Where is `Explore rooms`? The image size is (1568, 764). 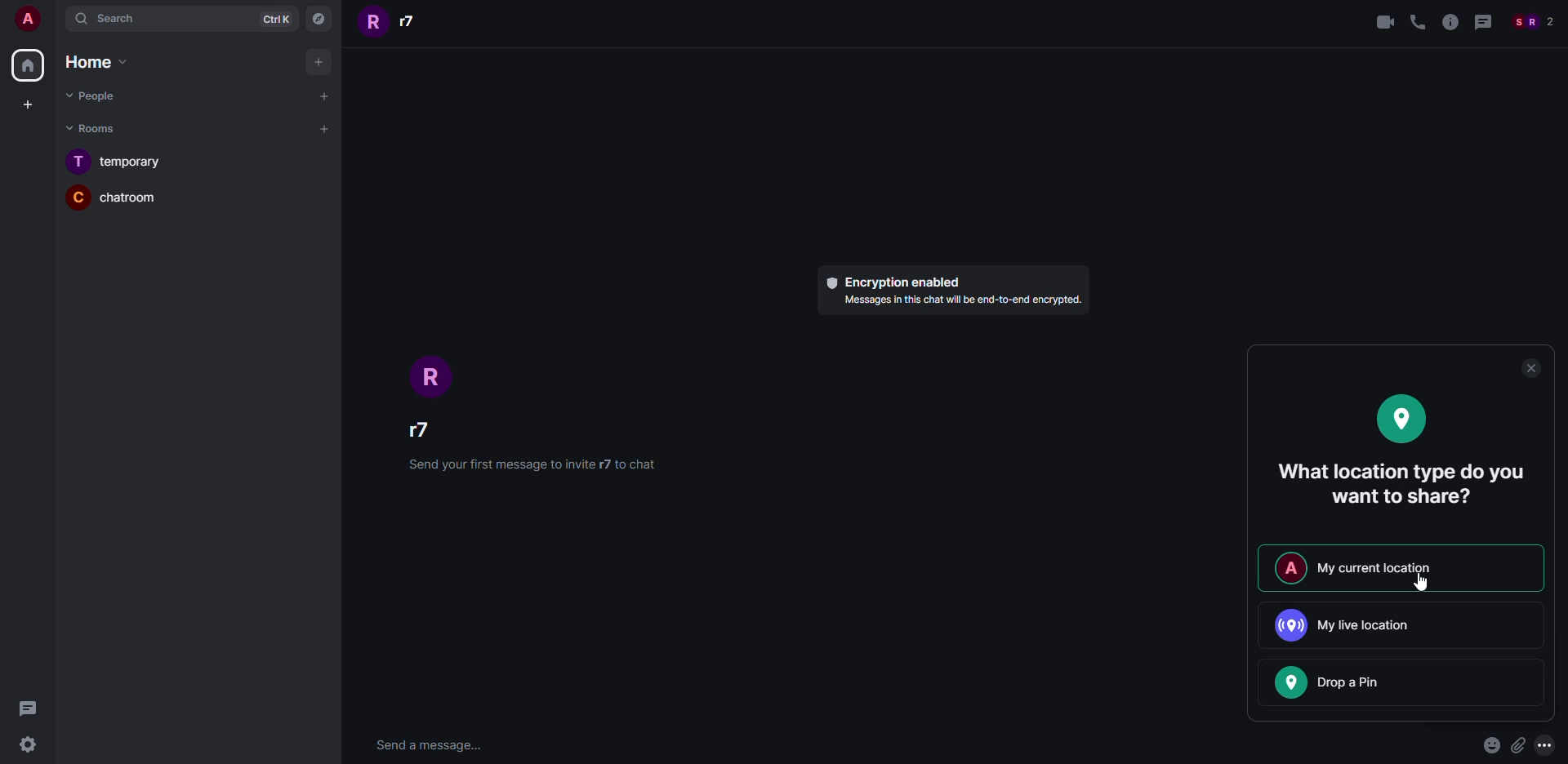 Explore rooms is located at coordinates (321, 20).